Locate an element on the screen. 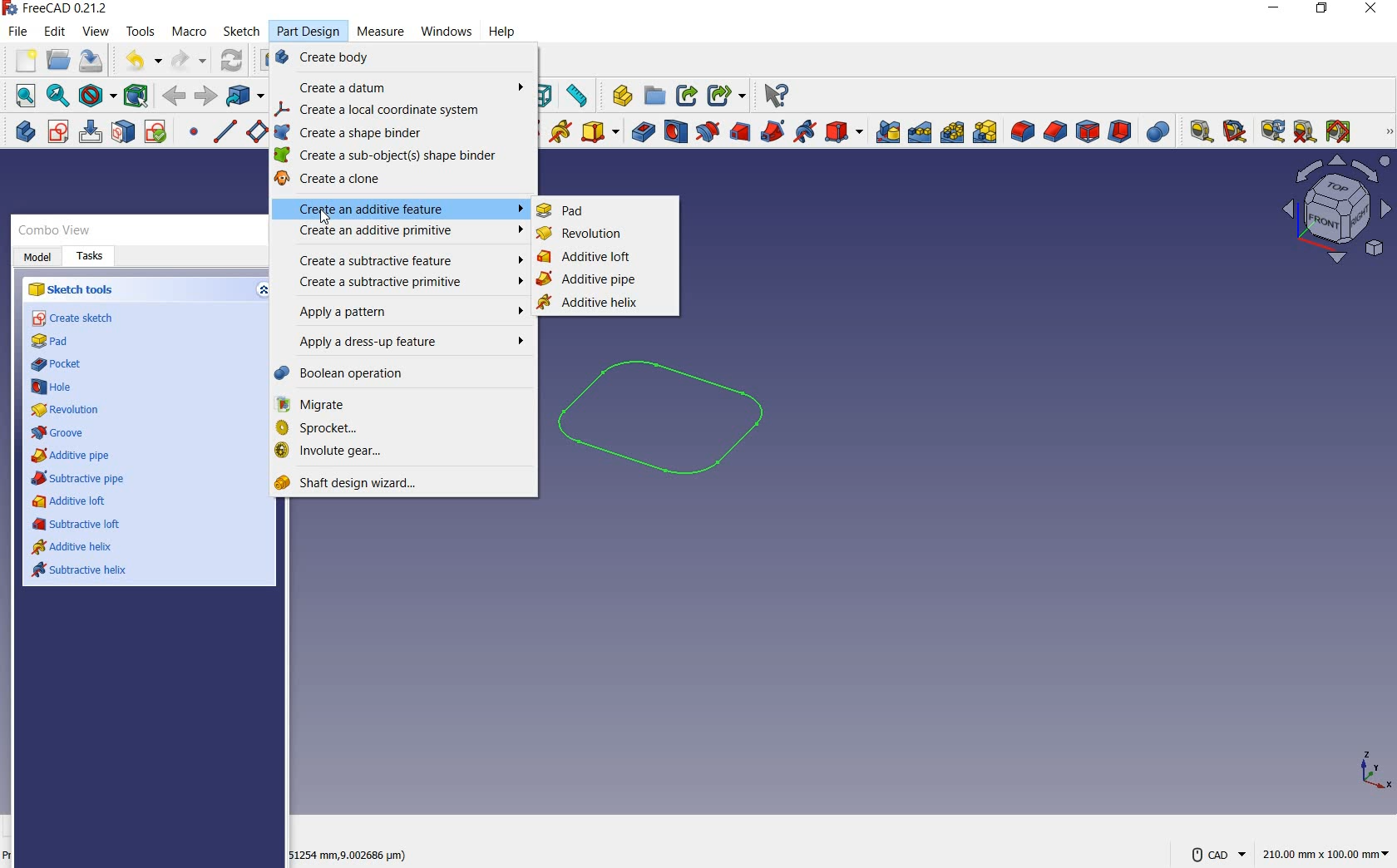  create an additive primitive is located at coordinates (598, 132).